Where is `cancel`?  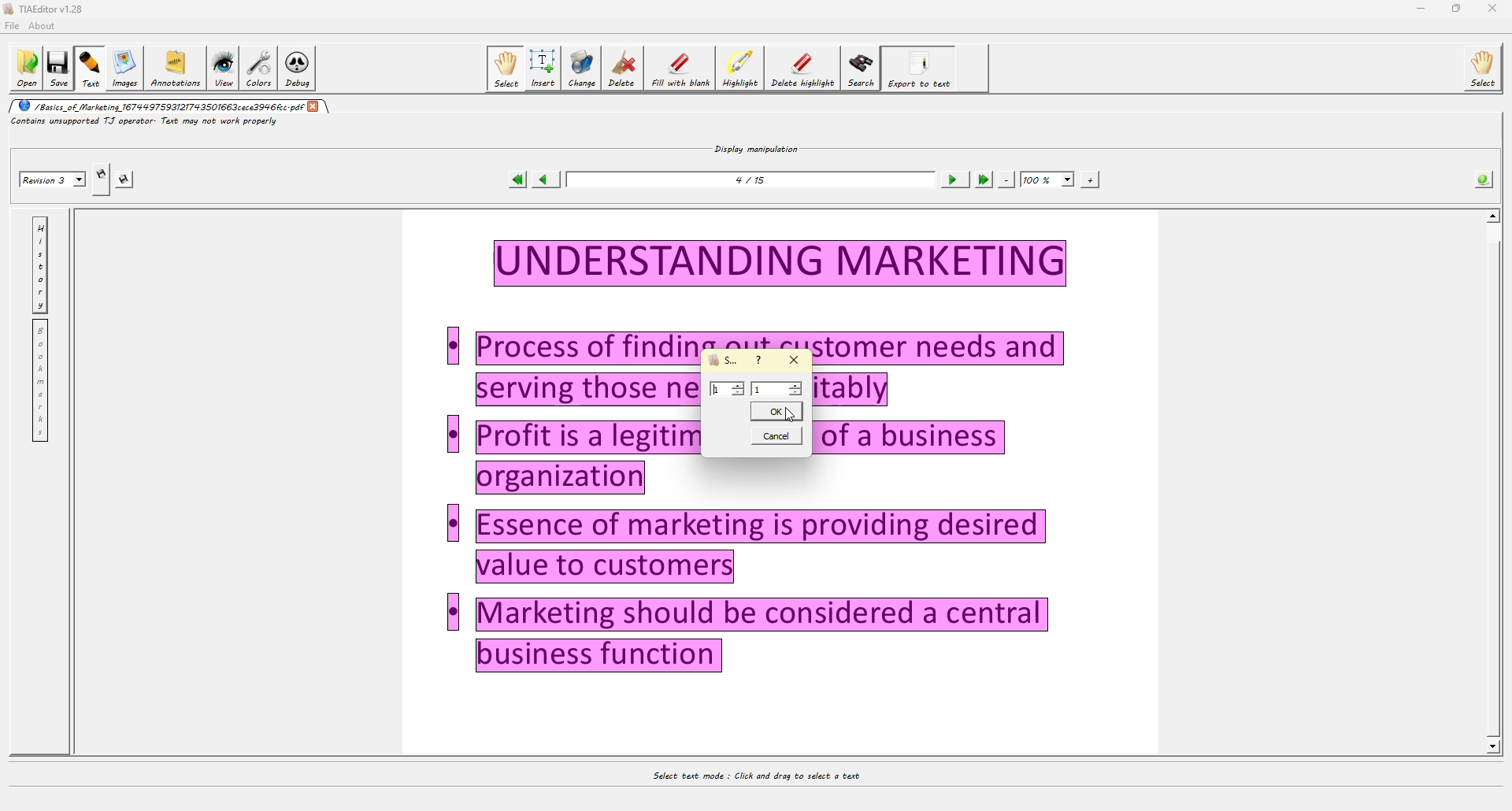
cancel is located at coordinates (777, 435).